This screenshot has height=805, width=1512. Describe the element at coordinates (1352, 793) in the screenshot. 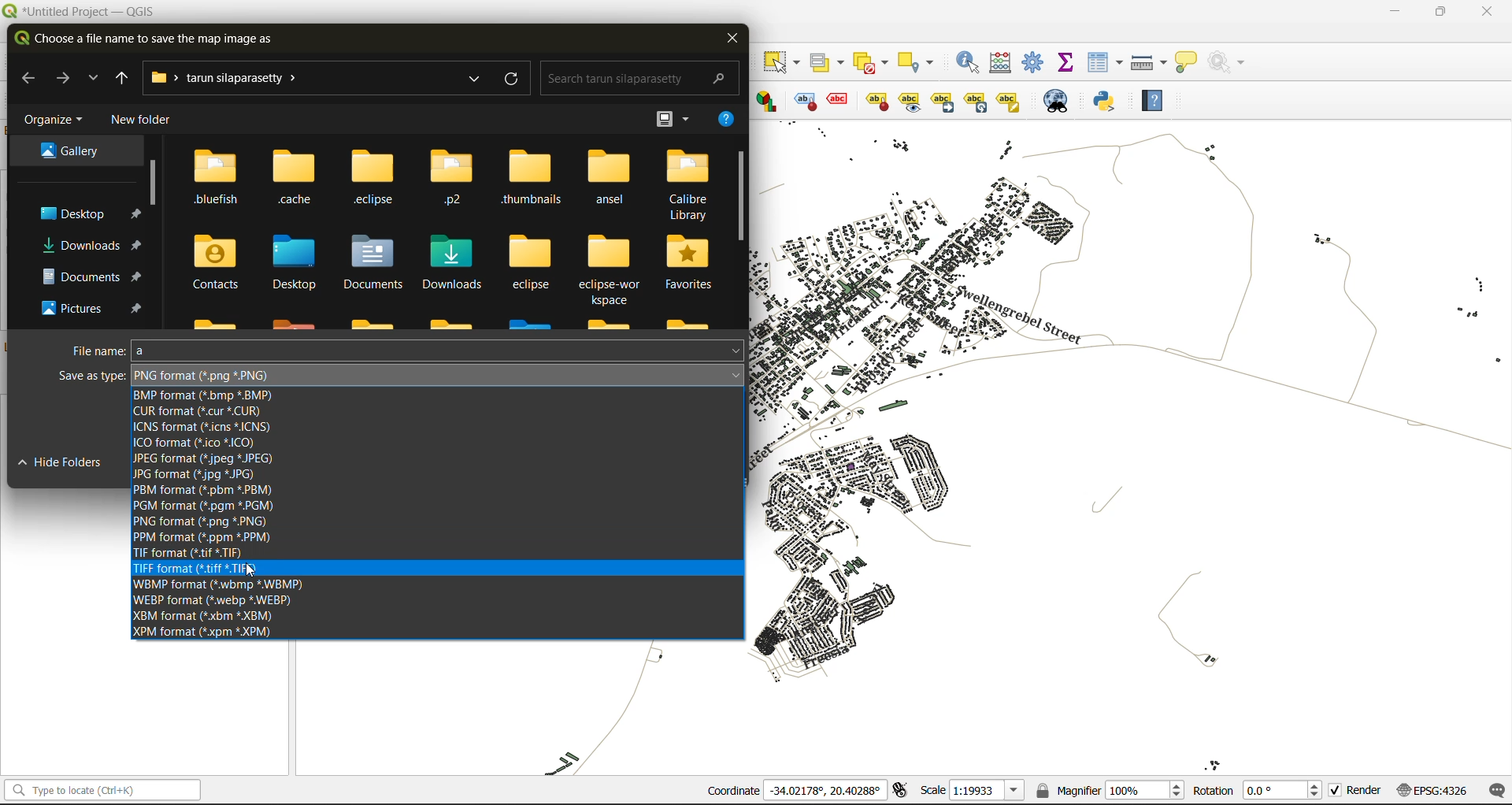

I see `render` at that location.